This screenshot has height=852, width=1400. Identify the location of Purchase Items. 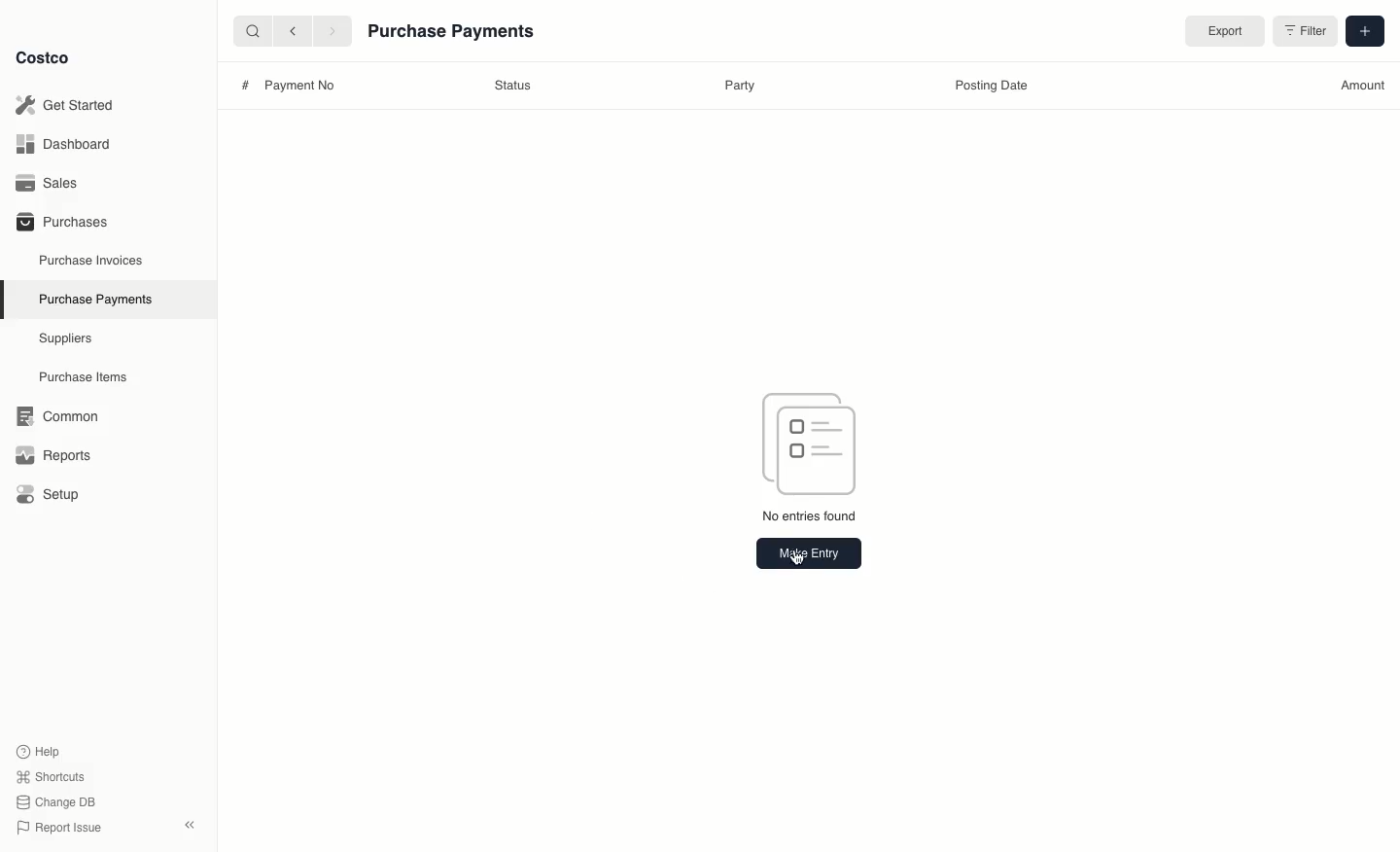
(86, 377).